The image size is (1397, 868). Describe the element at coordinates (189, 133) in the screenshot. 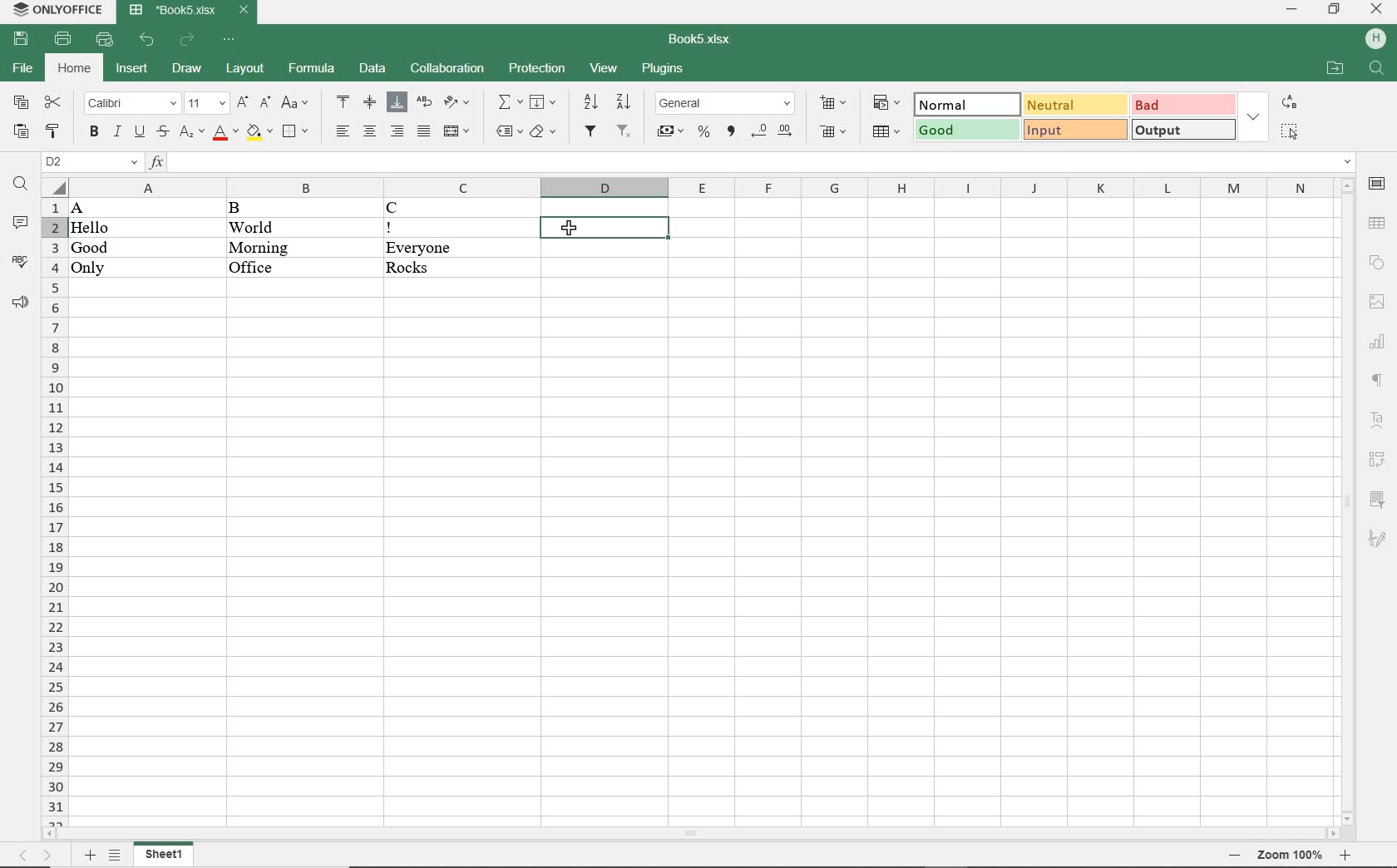

I see `SUBSCRIPT/SUPERSCRIPT` at that location.